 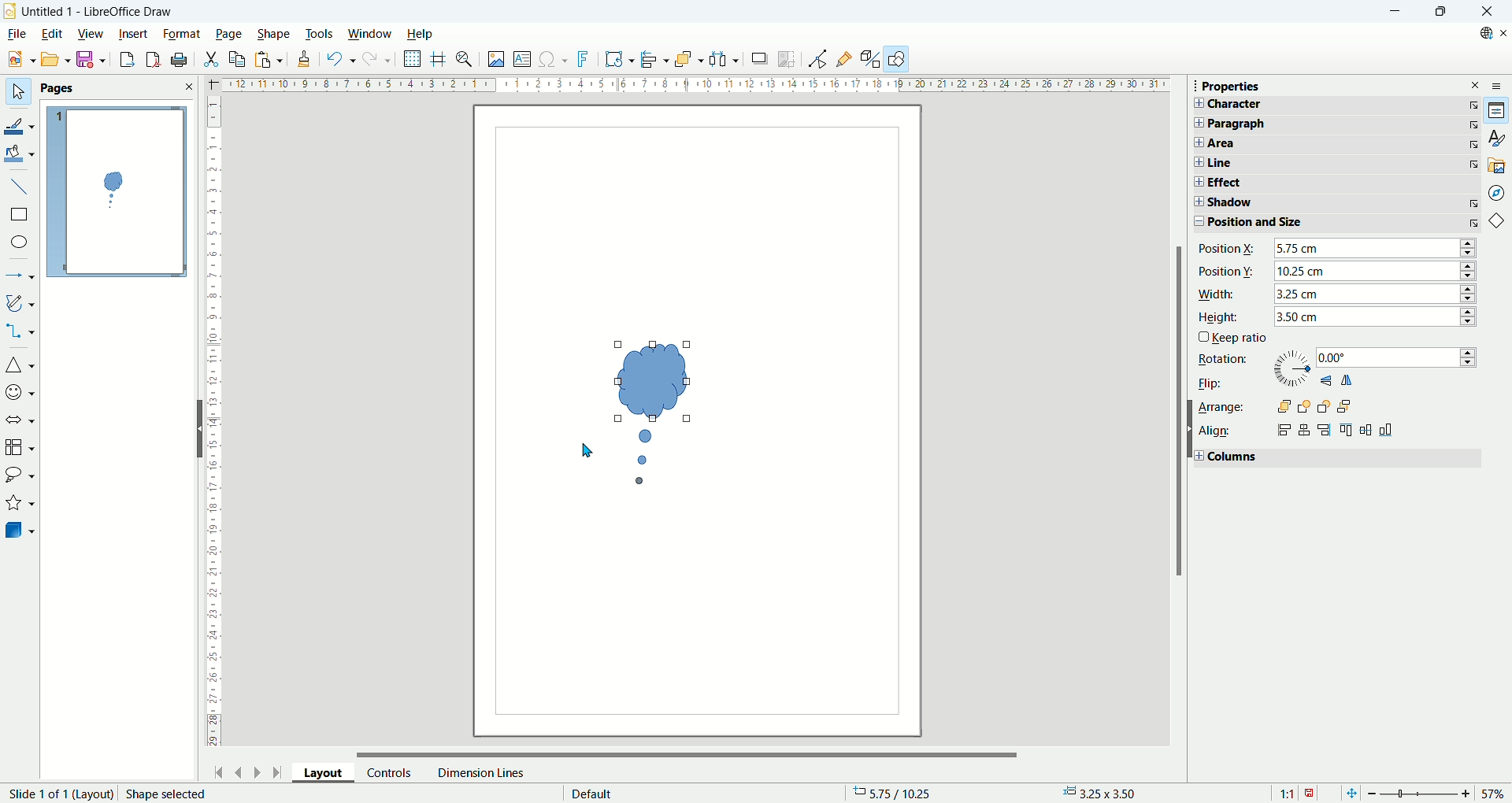 What do you see at coordinates (1196, 142) in the screenshot?
I see `Expand` at bounding box center [1196, 142].